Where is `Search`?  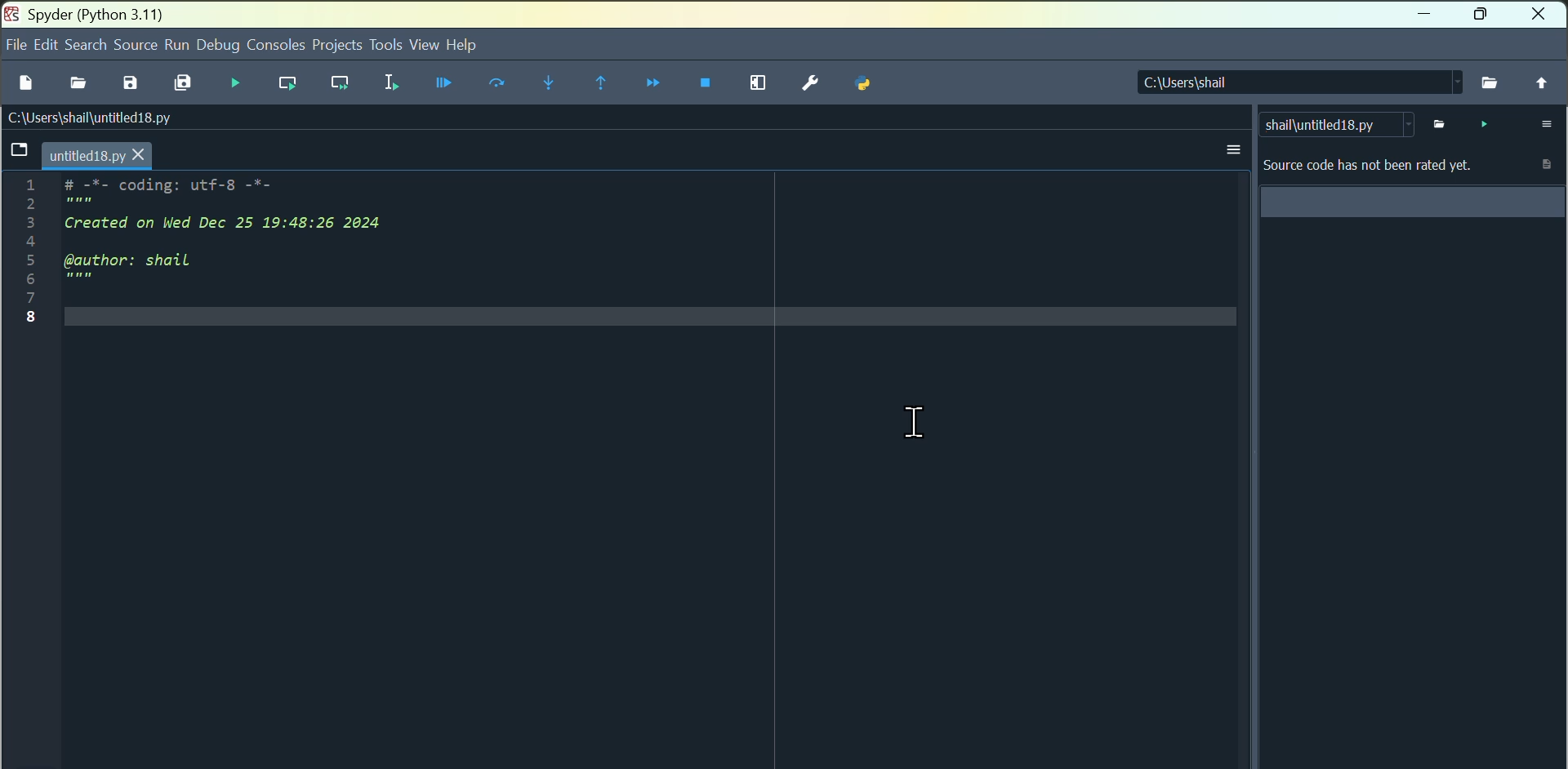
Search is located at coordinates (87, 45).